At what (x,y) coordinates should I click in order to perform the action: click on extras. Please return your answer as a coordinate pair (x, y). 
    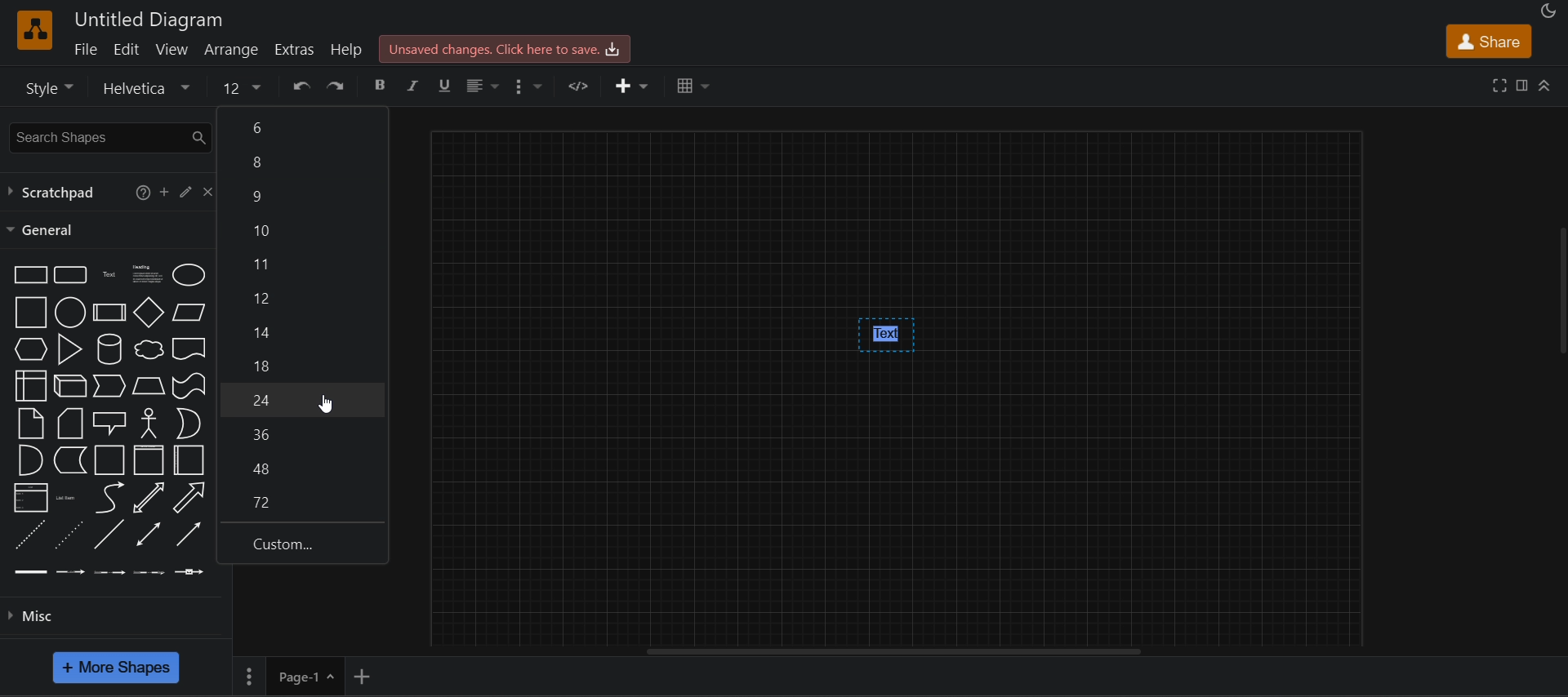
    Looking at the image, I should click on (296, 50).